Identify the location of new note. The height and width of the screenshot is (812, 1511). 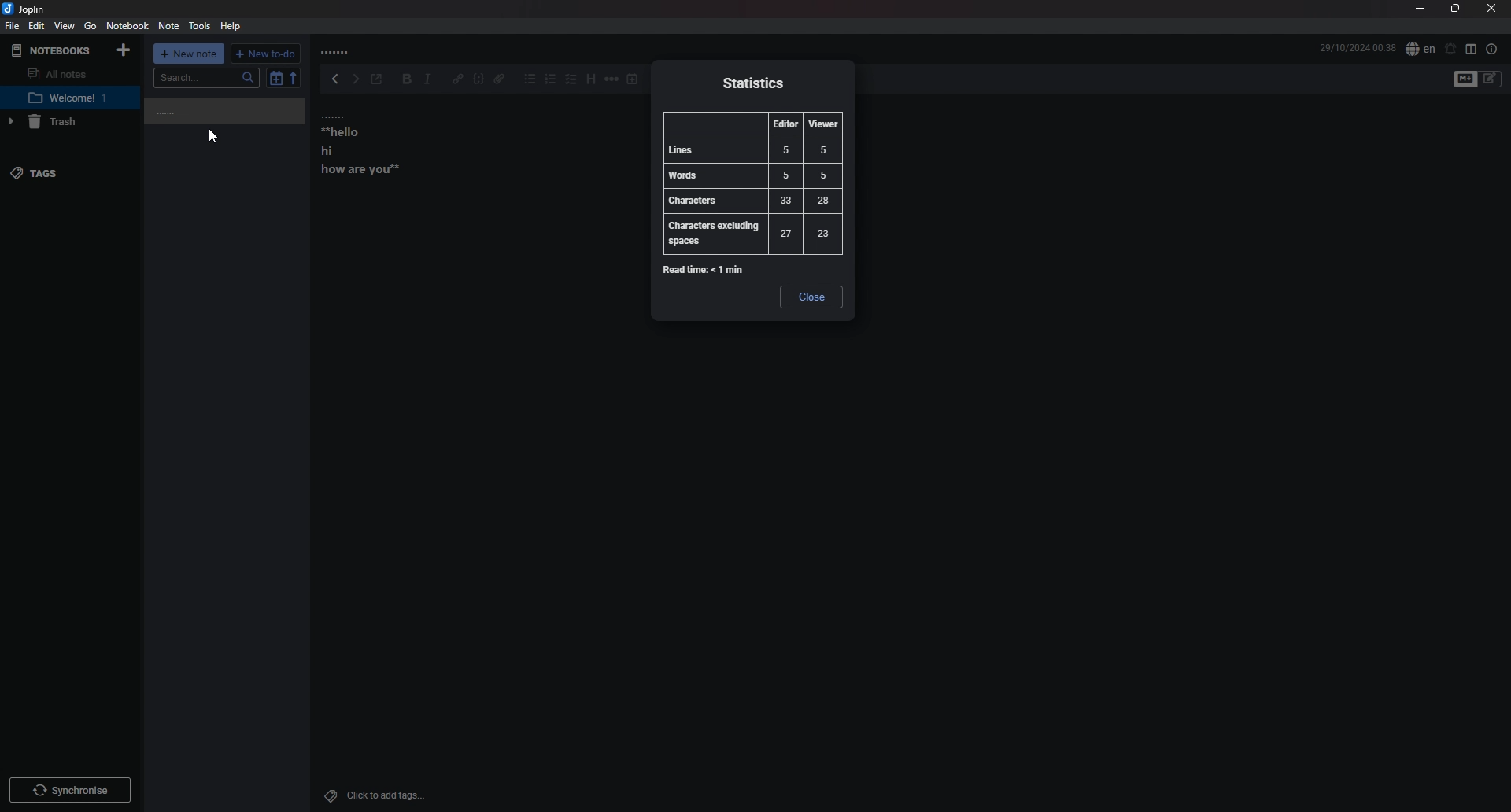
(189, 53).